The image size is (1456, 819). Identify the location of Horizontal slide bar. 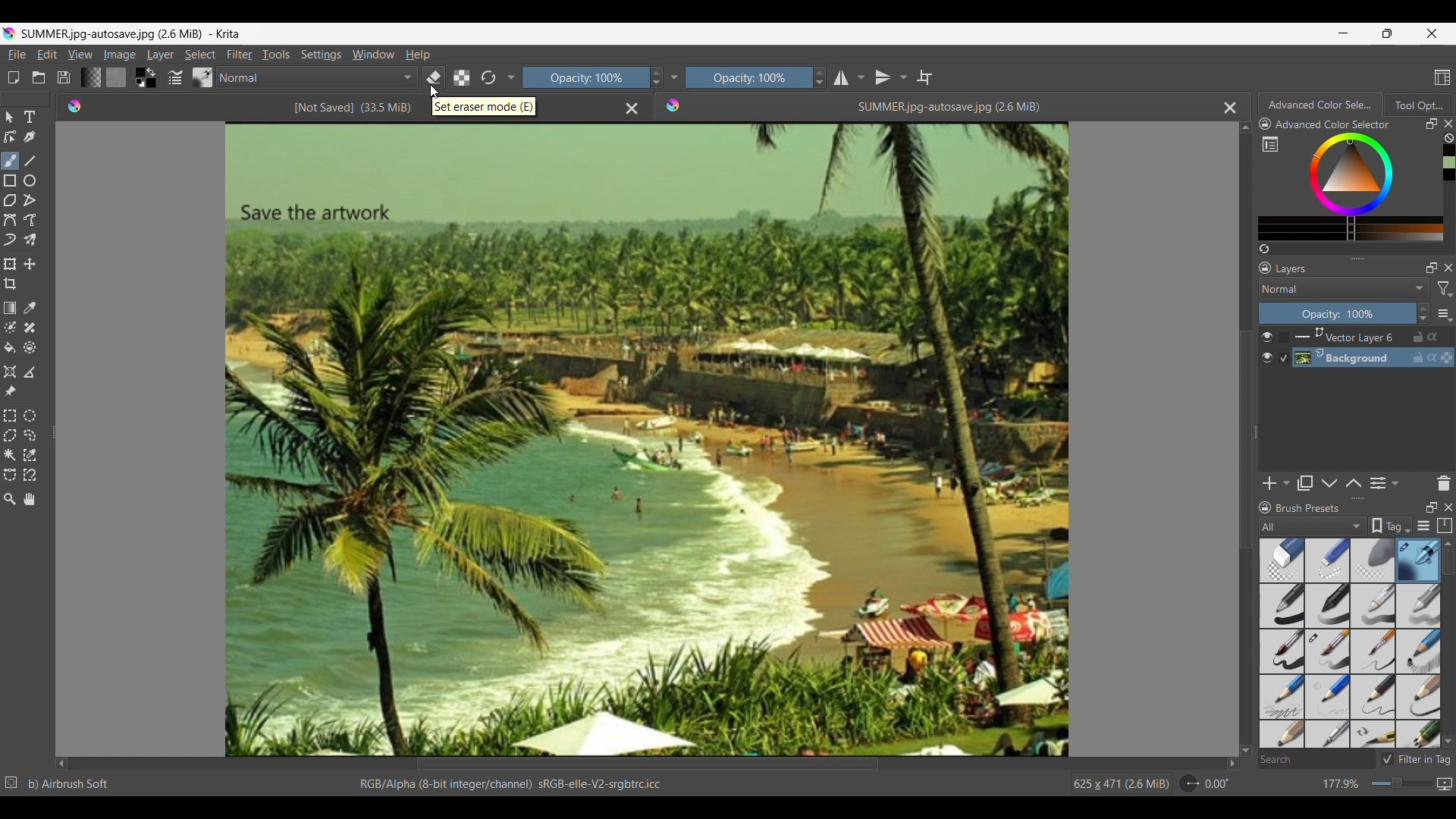
(648, 764).